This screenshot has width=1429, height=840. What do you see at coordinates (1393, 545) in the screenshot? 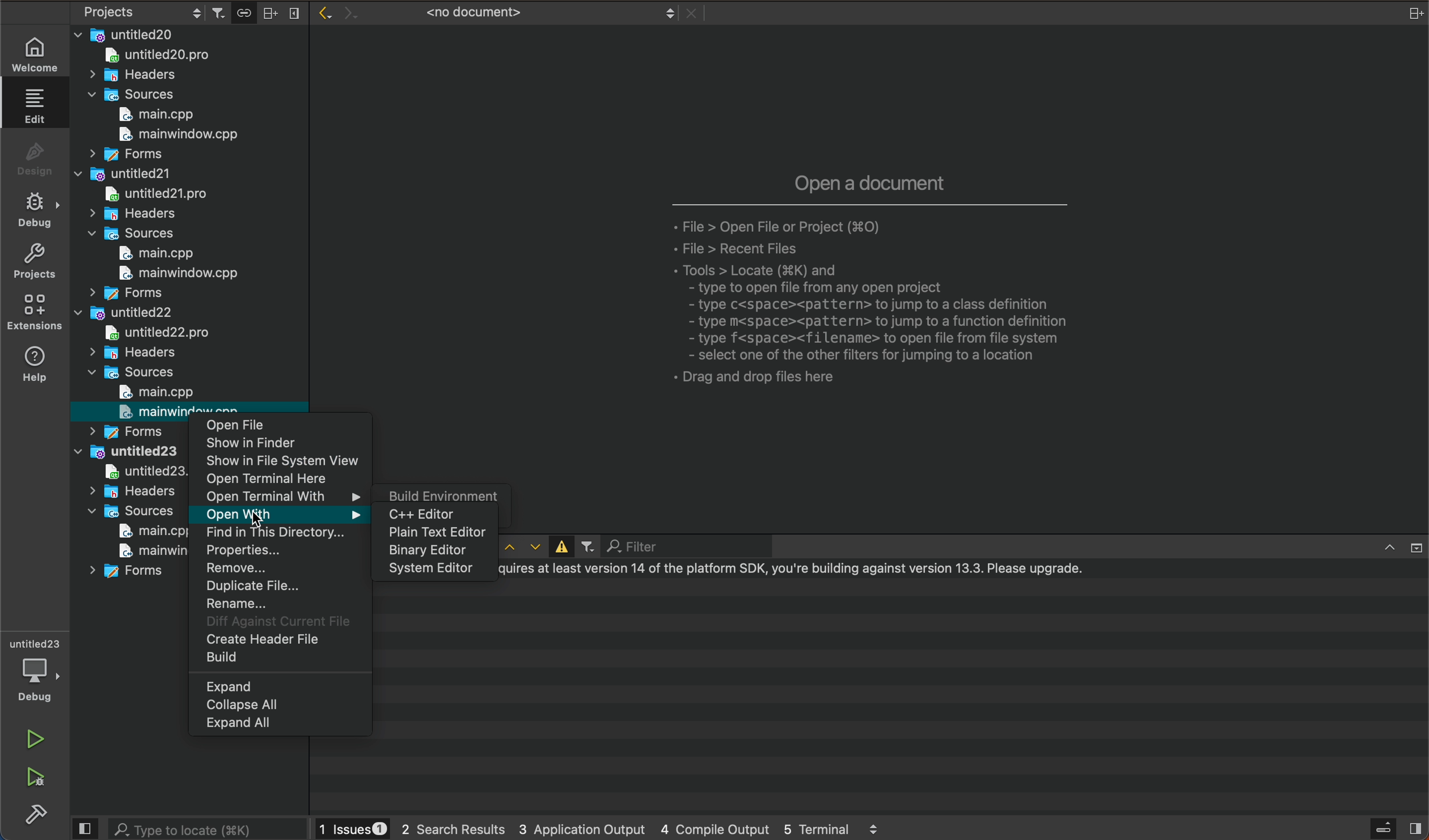
I see `close bar` at bounding box center [1393, 545].